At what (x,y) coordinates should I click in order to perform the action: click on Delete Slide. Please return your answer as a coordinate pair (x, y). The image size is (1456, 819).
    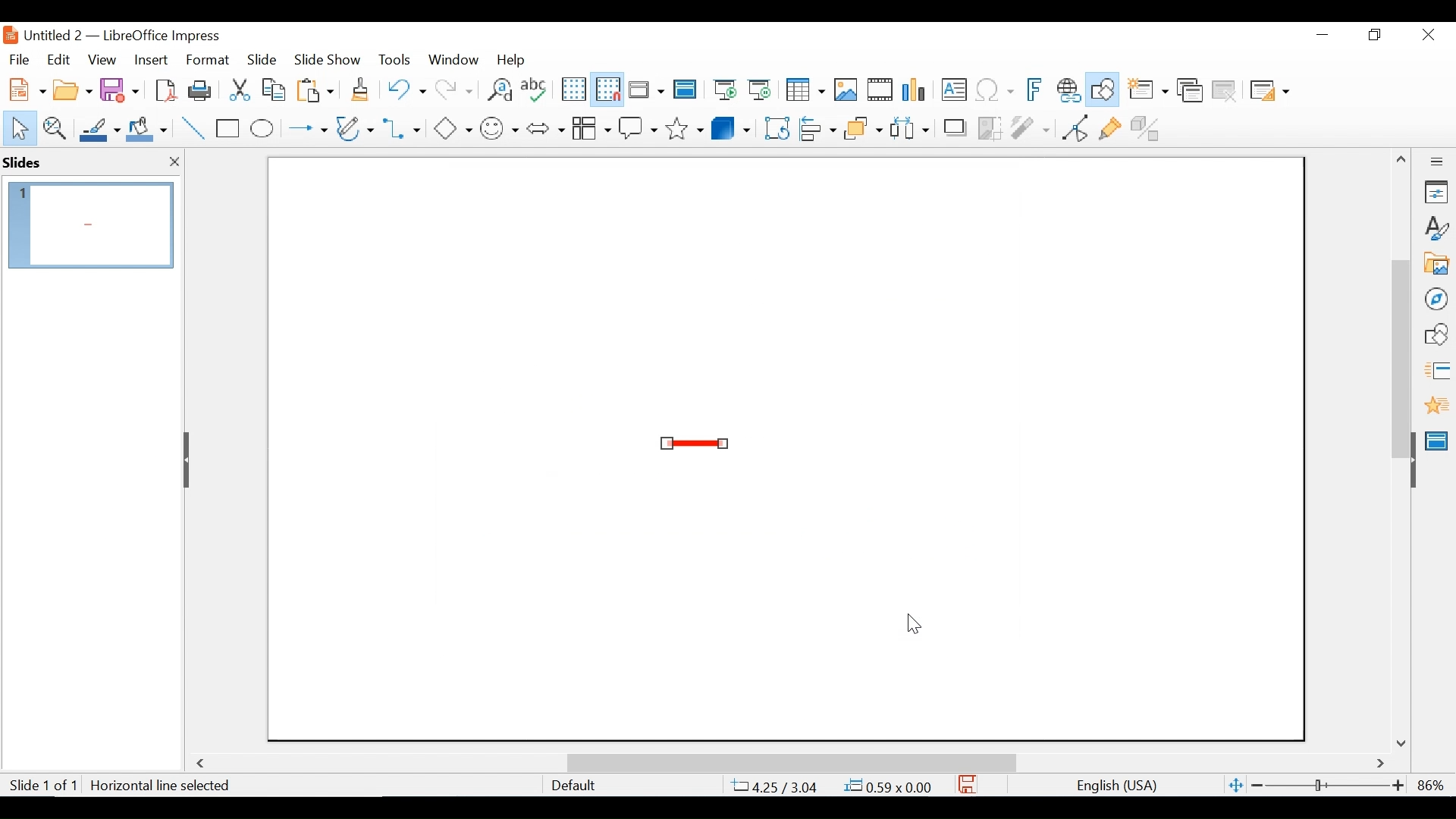
    Looking at the image, I should click on (1223, 91).